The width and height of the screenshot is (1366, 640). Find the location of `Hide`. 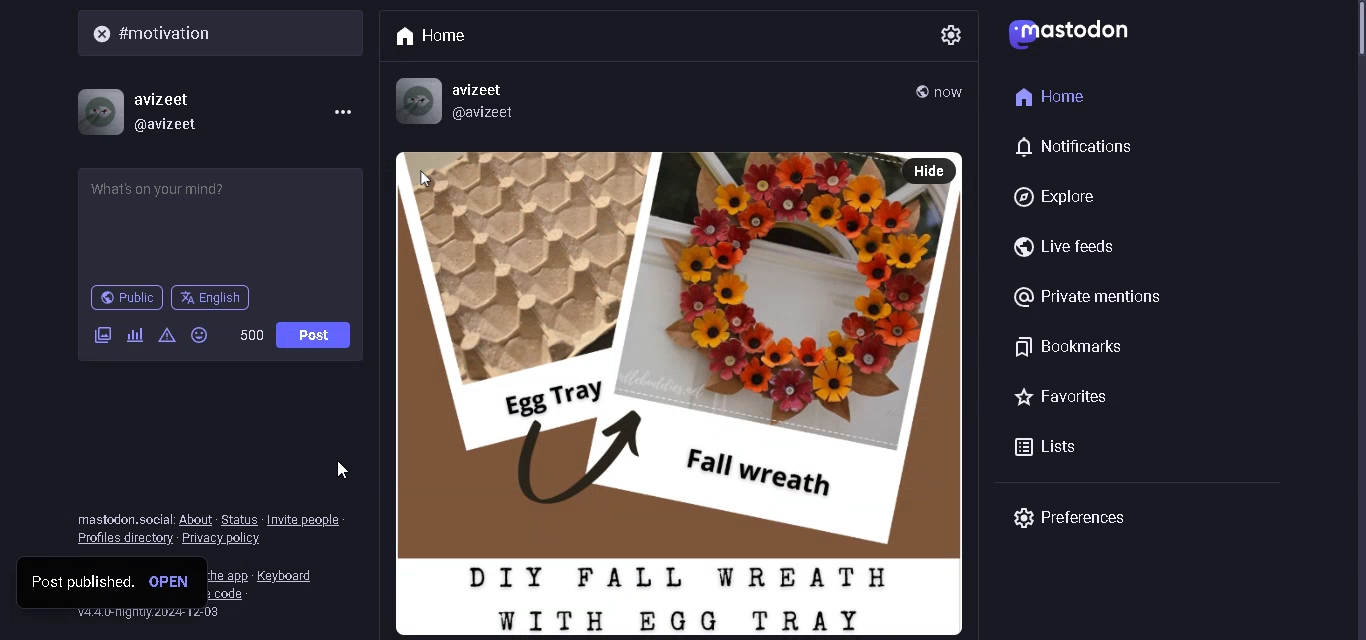

Hide is located at coordinates (931, 170).